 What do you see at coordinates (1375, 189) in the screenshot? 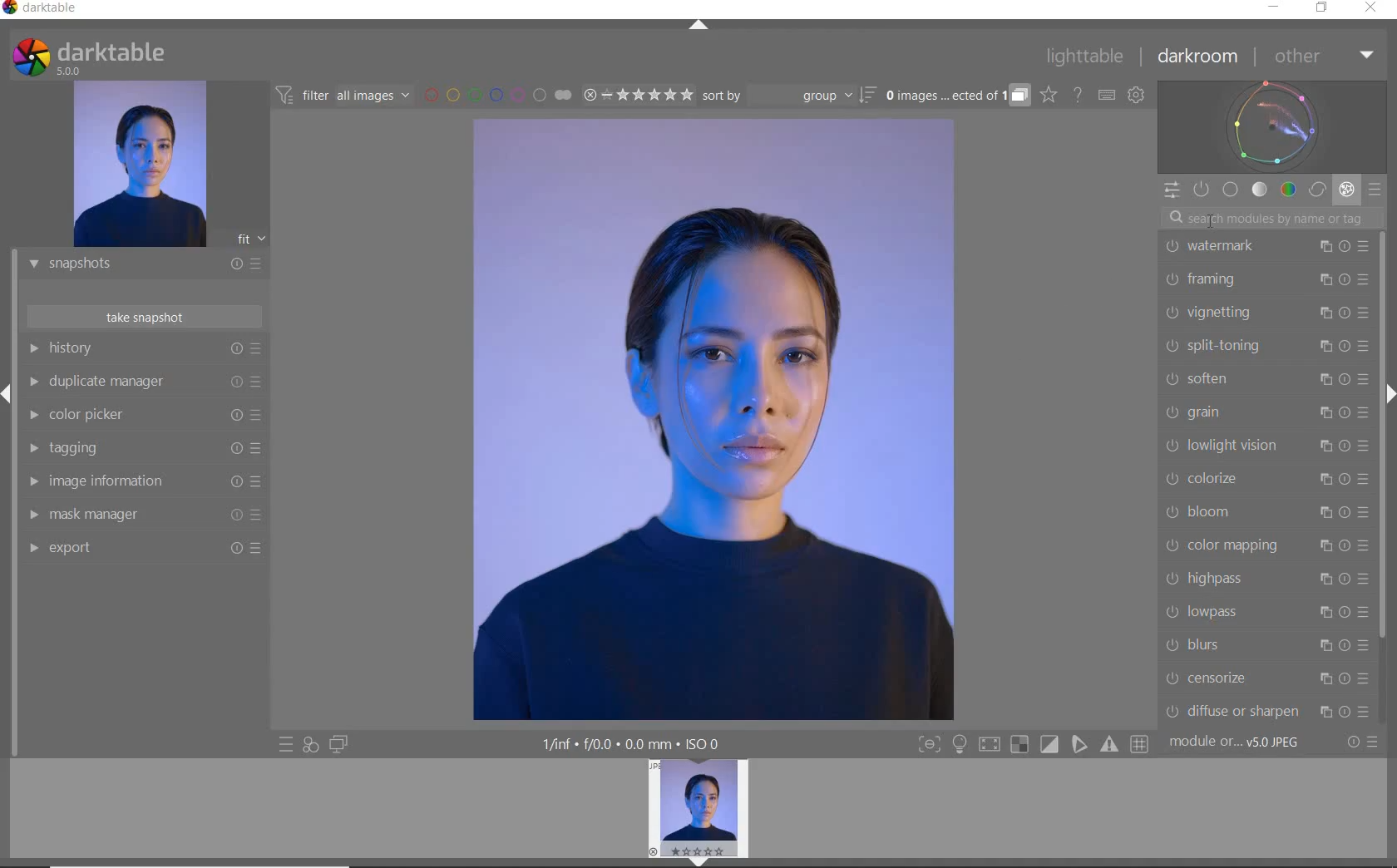
I see `PRESETS` at bounding box center [1375, 189].